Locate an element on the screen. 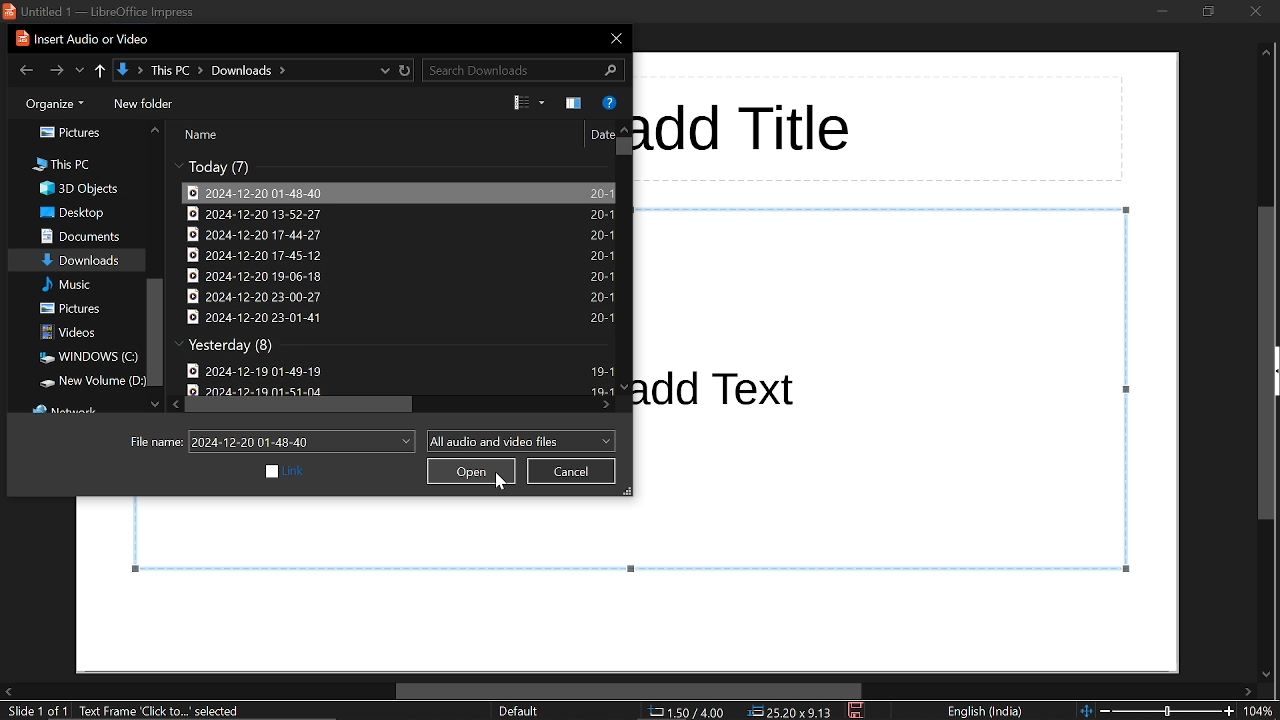 The image size is (1280, 720). Cursor is located at coordinates (500, 480).